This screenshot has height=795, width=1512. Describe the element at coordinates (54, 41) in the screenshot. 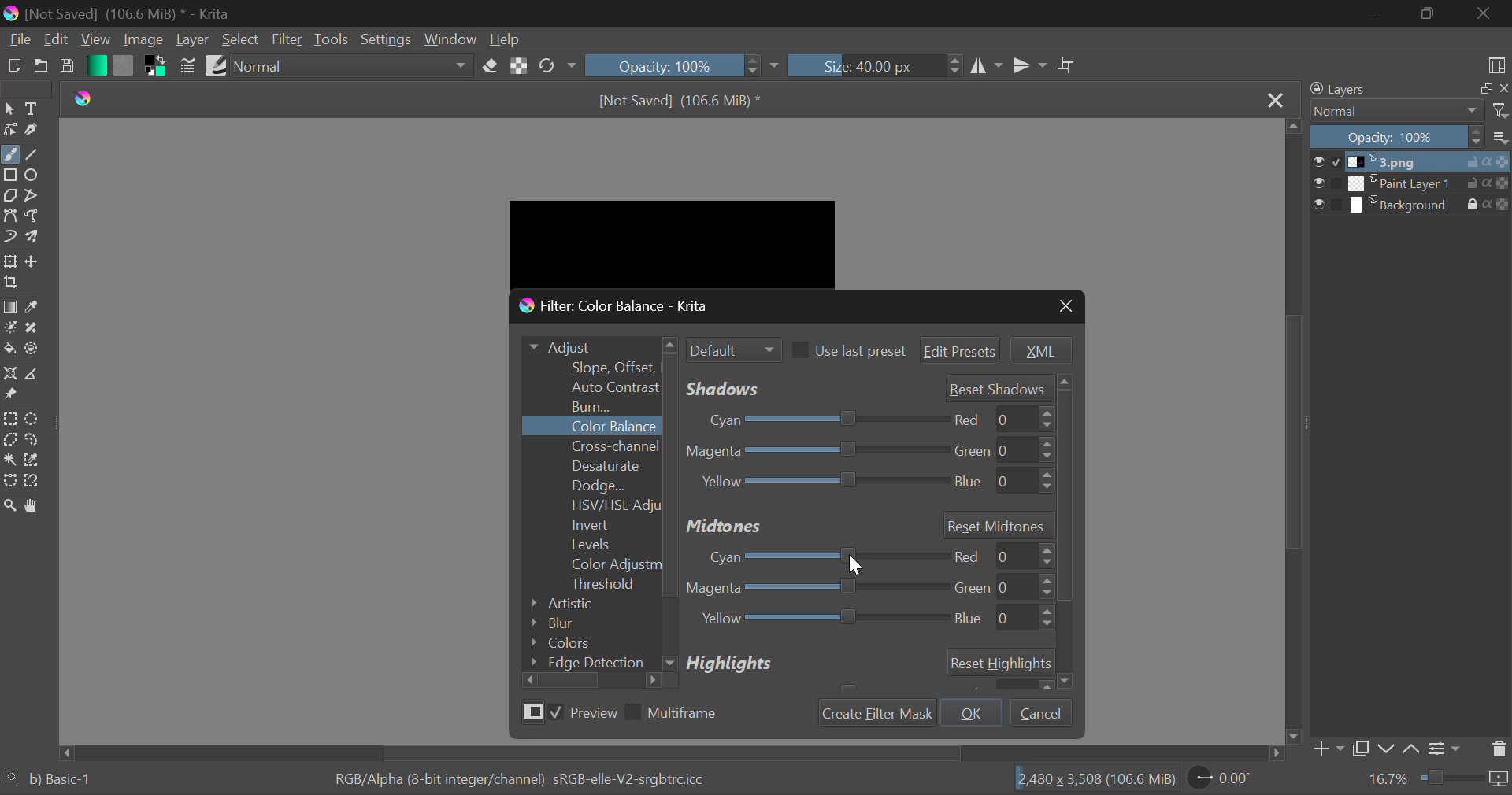

I see `Edit` at that location.